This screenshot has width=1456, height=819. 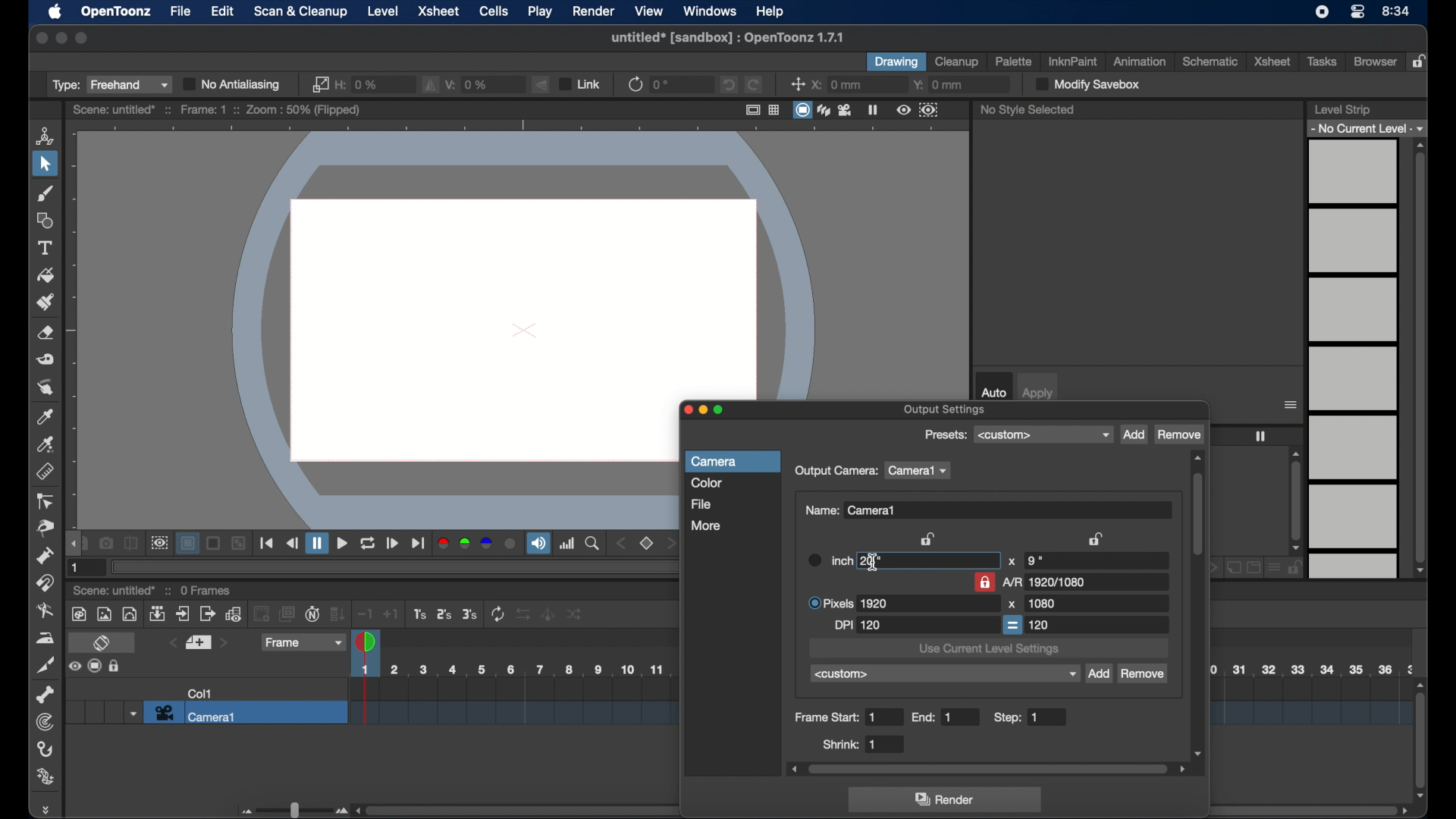 What do you see at coordinates (1211, 61) in the screenshot?
I see `schematic` at bounding box center [1211, 61].